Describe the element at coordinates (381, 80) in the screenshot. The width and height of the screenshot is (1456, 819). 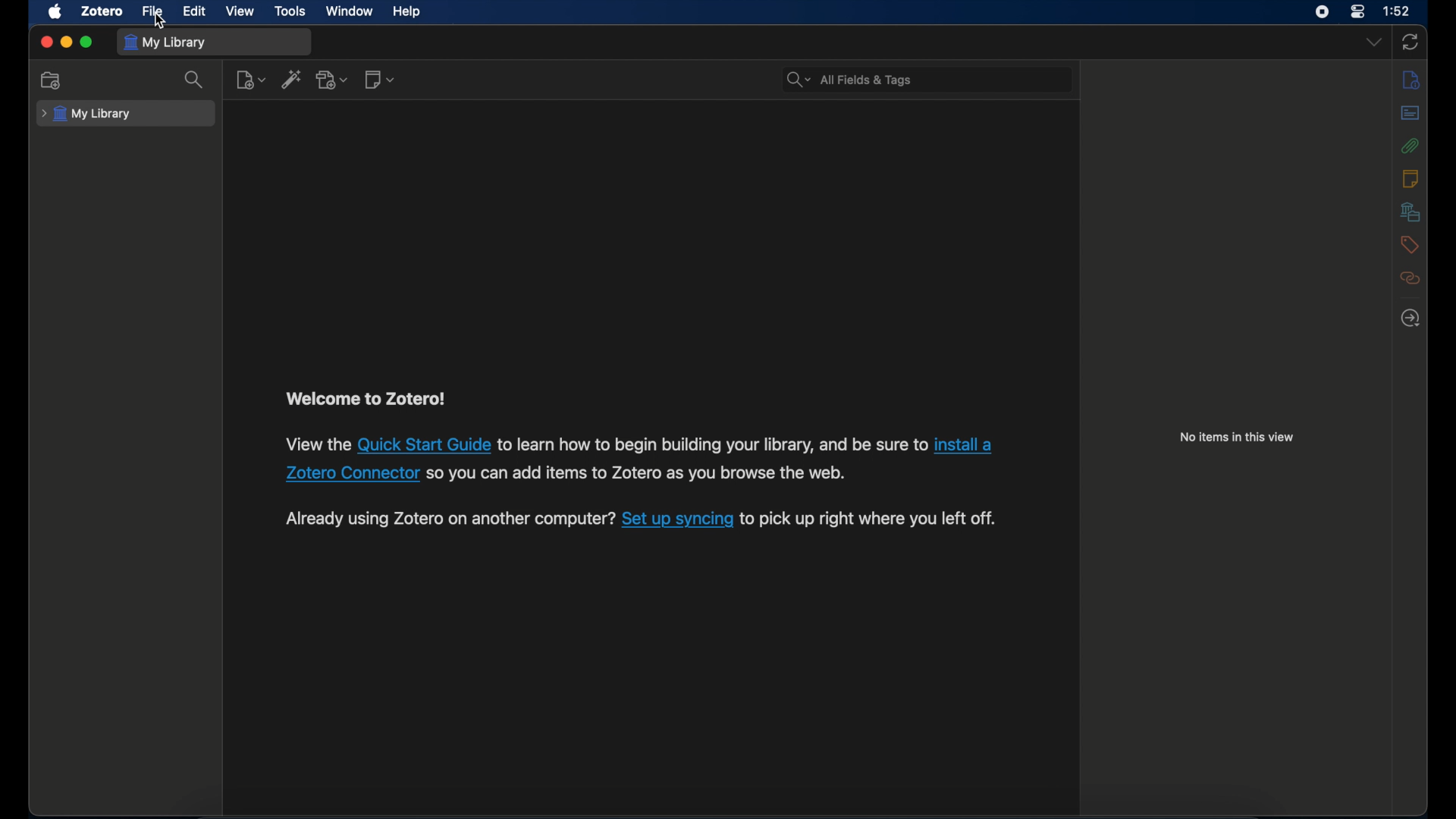
I see `new note` at that location.